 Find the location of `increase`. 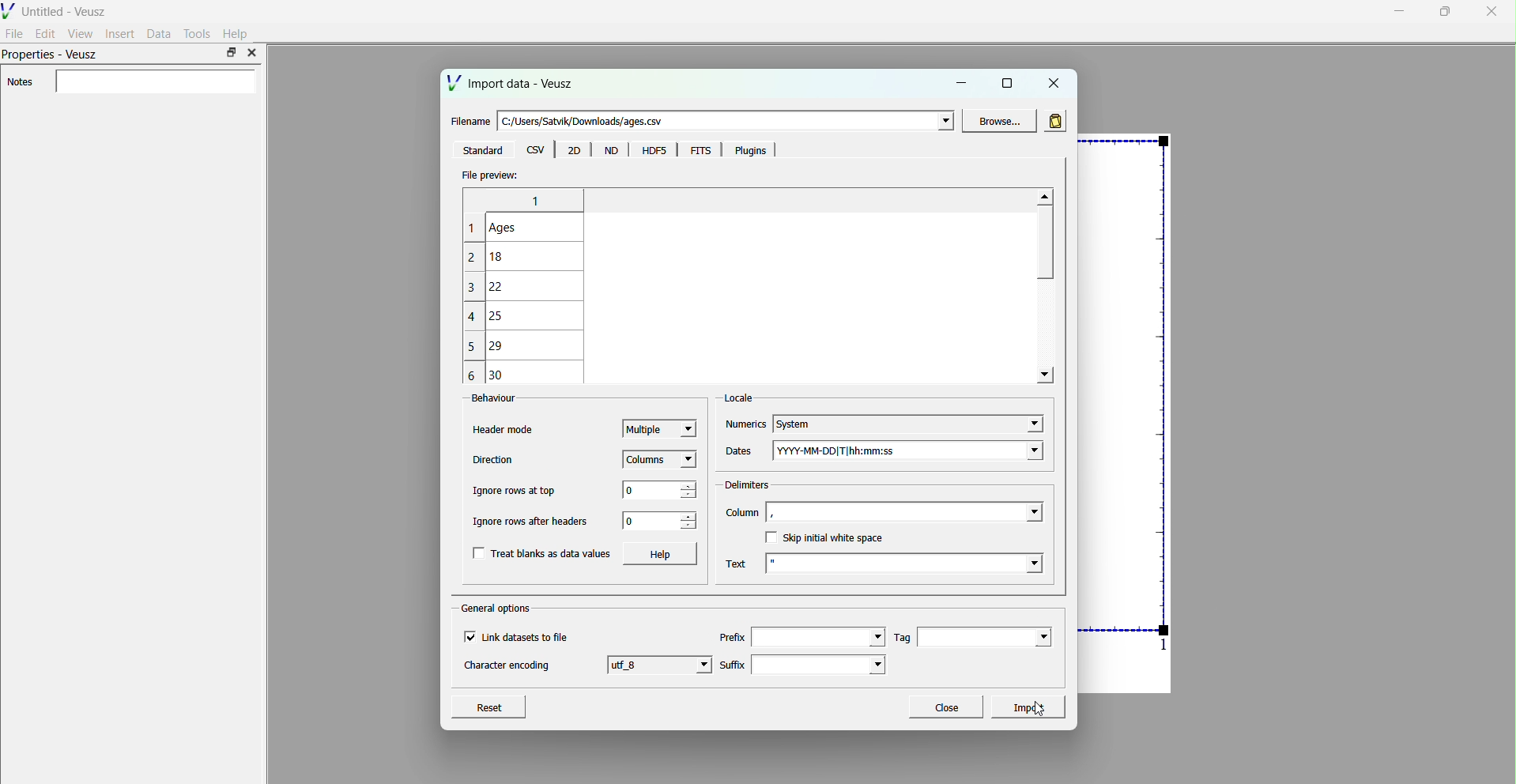

increase is located at coordinates (689, 486).